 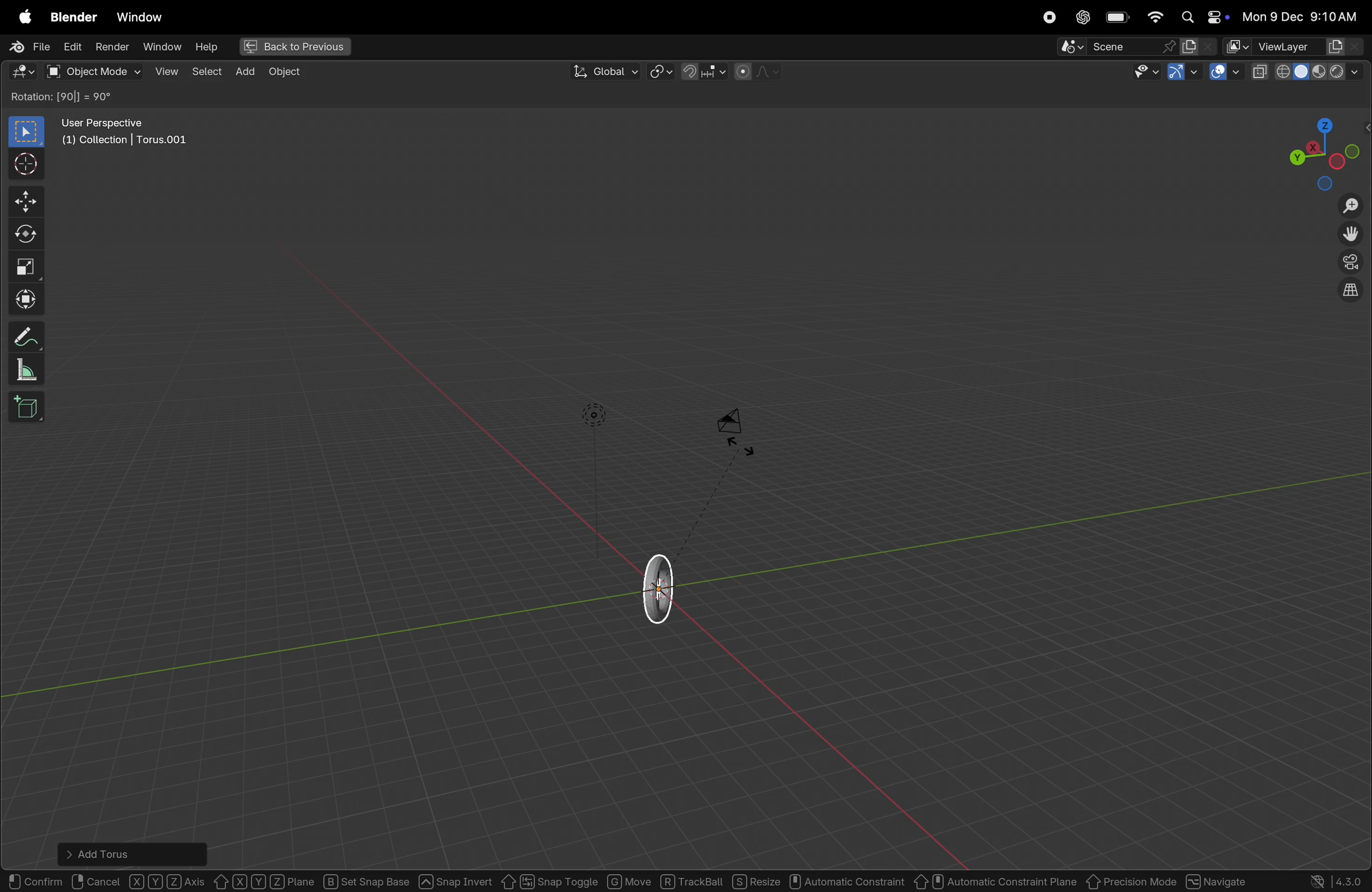 What do you see at coordinates (1351, 263) in the screenshot?
I see `view point camera` at bounding box center [1351, 263].